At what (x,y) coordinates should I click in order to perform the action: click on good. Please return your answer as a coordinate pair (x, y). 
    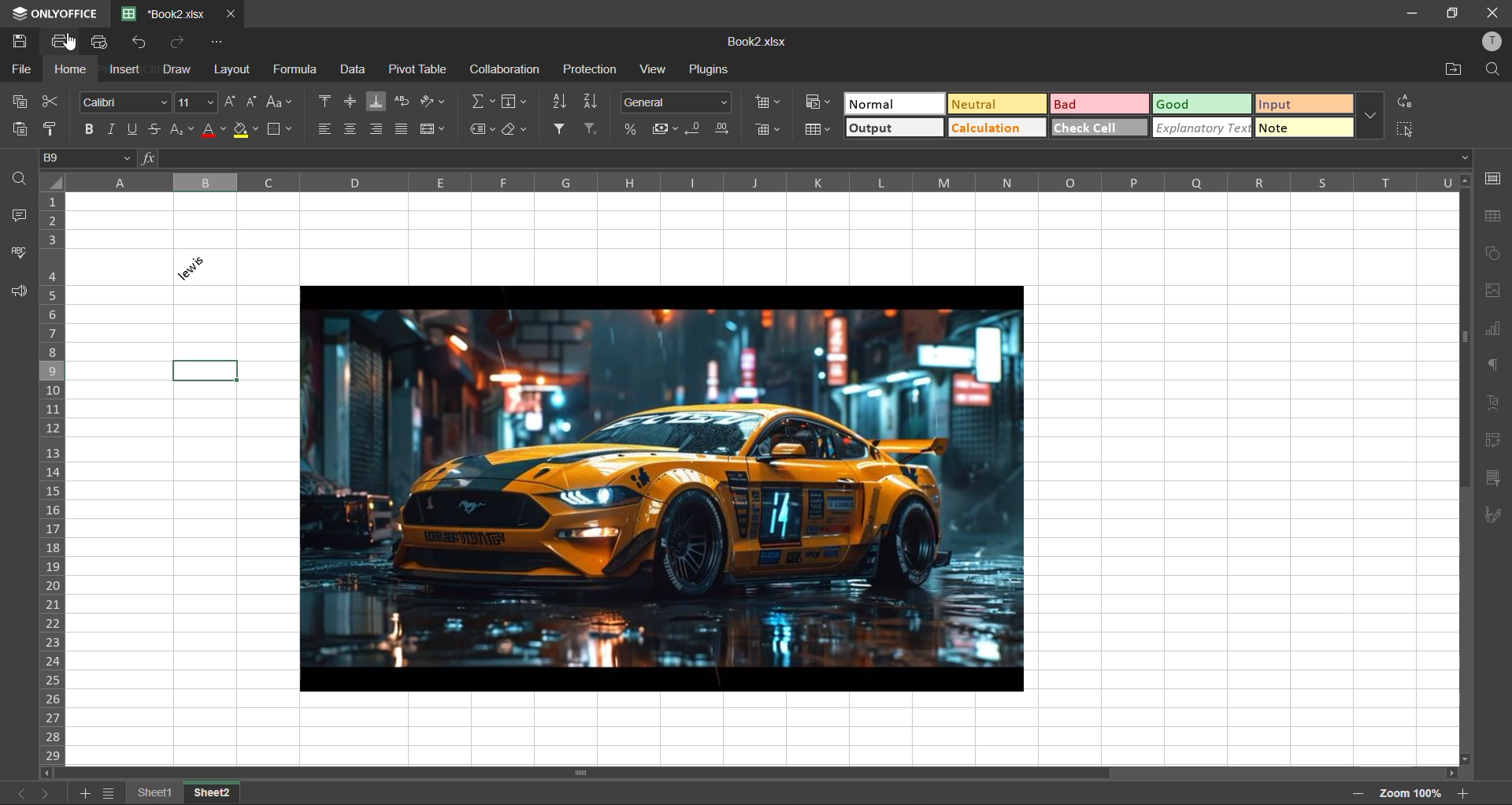
    Looking at the image, I should click on (1202, 104).